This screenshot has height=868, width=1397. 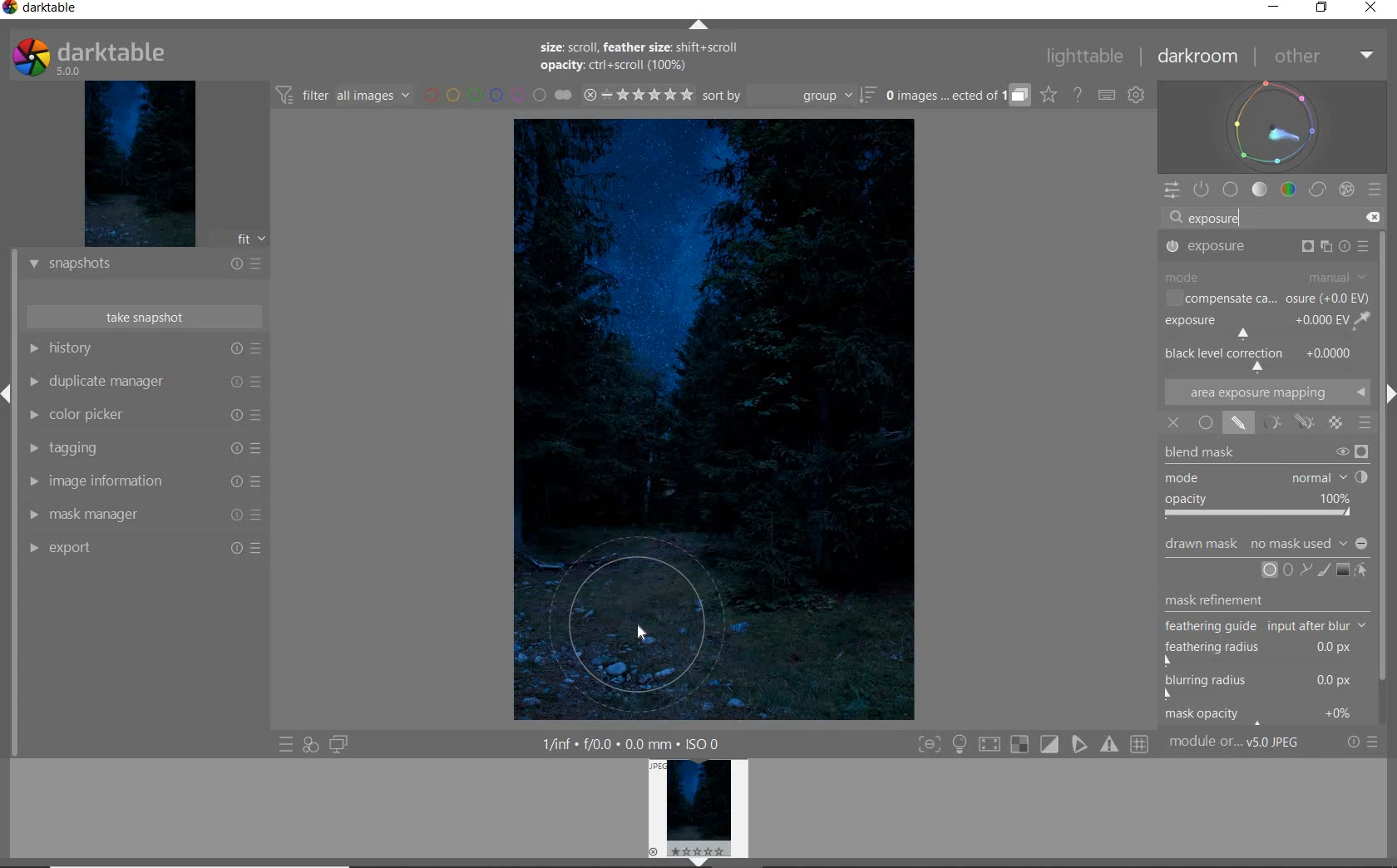 I want to click on COLOR PICKER, so click(x=144, y=417).